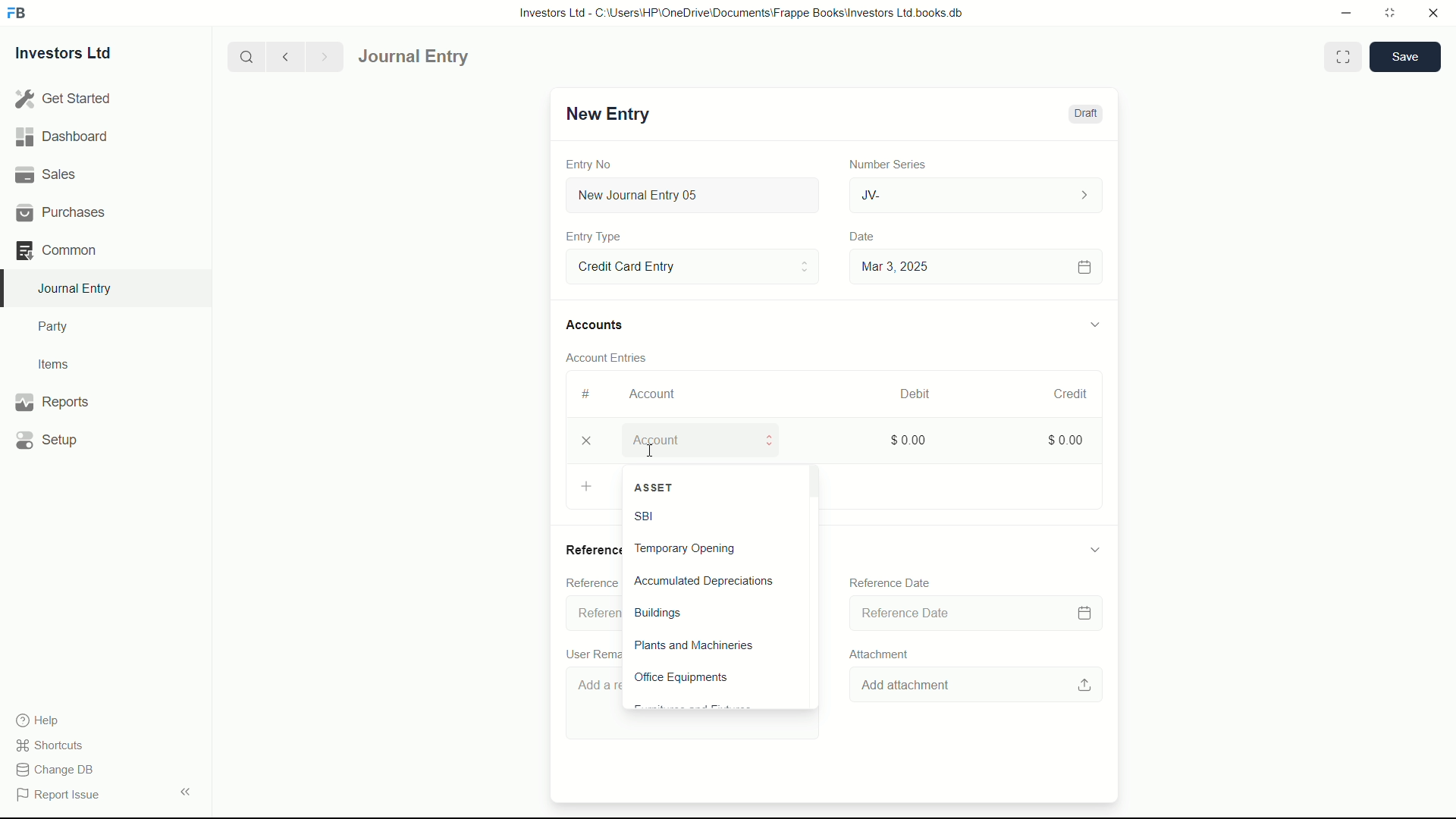  What do you see at coordinates (905, 439) in the screenshot?
I see `$0.00` at bounding box center [905, 439].